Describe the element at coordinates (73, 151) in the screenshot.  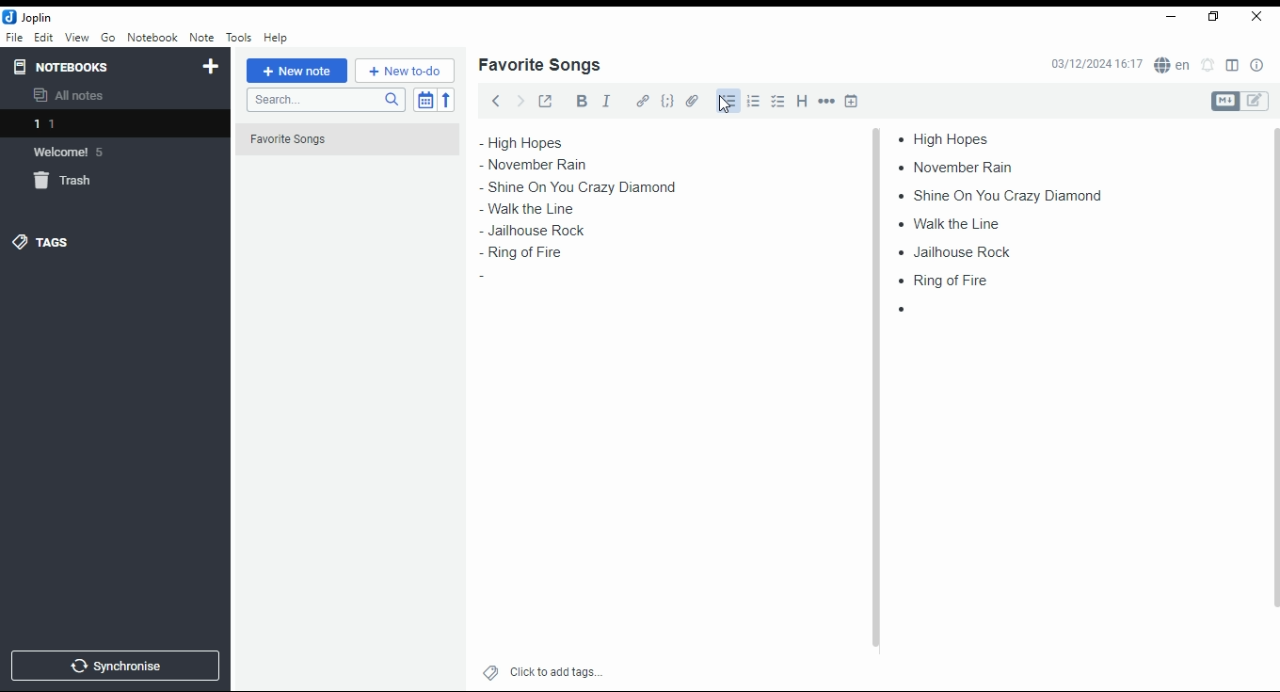
I see `notebook: welcome` at that location.